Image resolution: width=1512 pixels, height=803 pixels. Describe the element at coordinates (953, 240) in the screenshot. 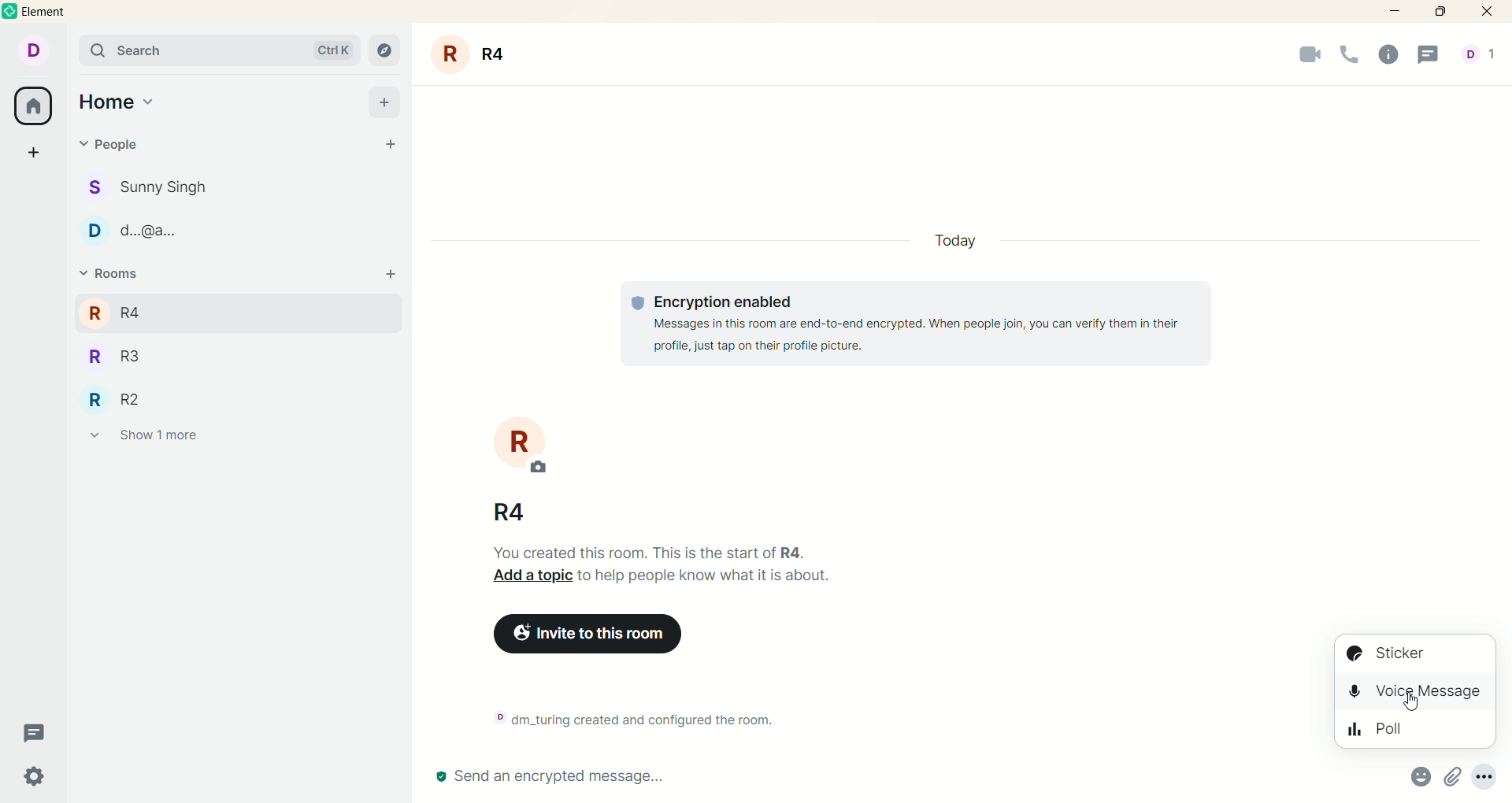

I see `today` at that location.